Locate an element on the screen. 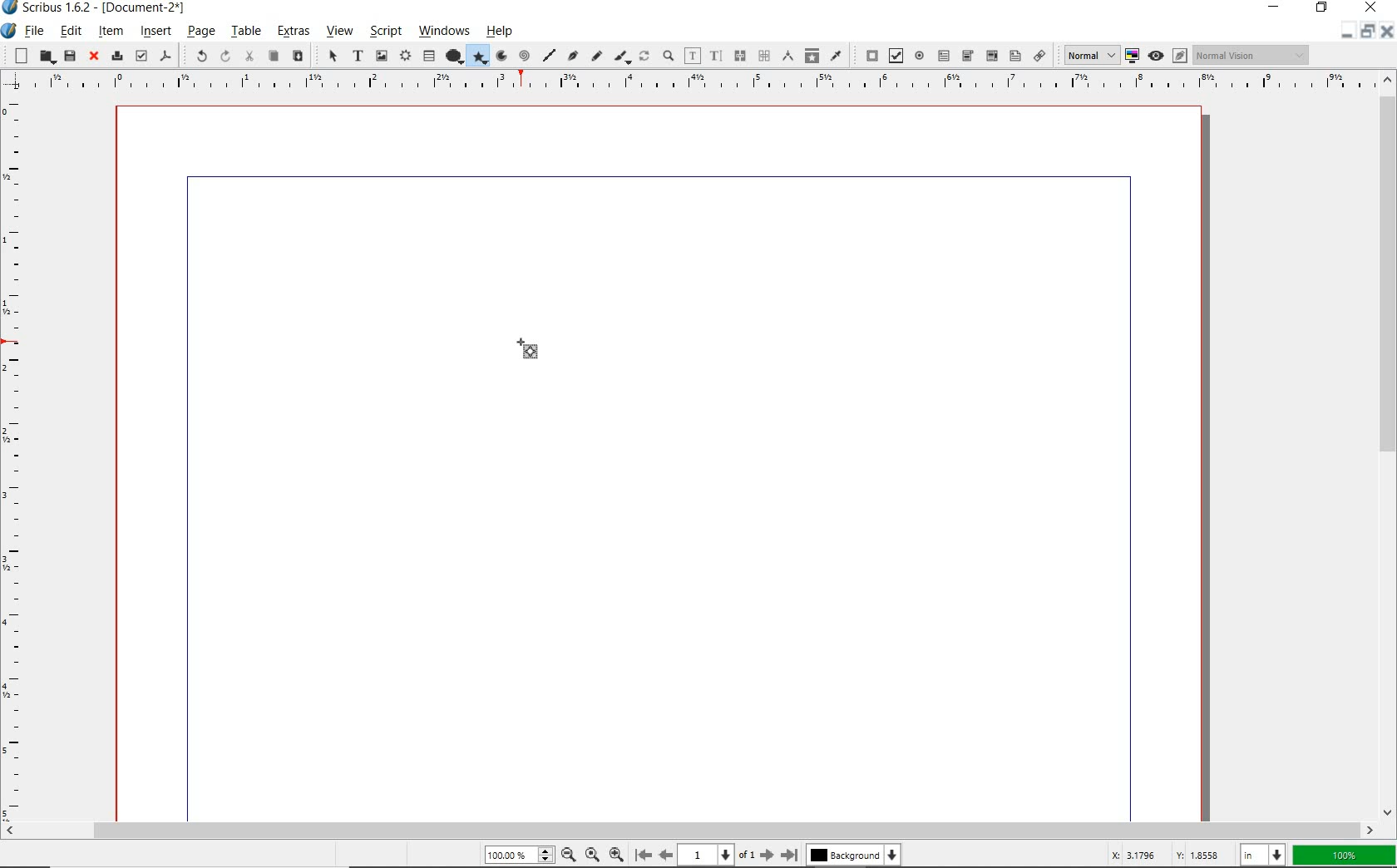 The image size is (1397, 868). edit contents of frame is located at coordinates (693, 55).